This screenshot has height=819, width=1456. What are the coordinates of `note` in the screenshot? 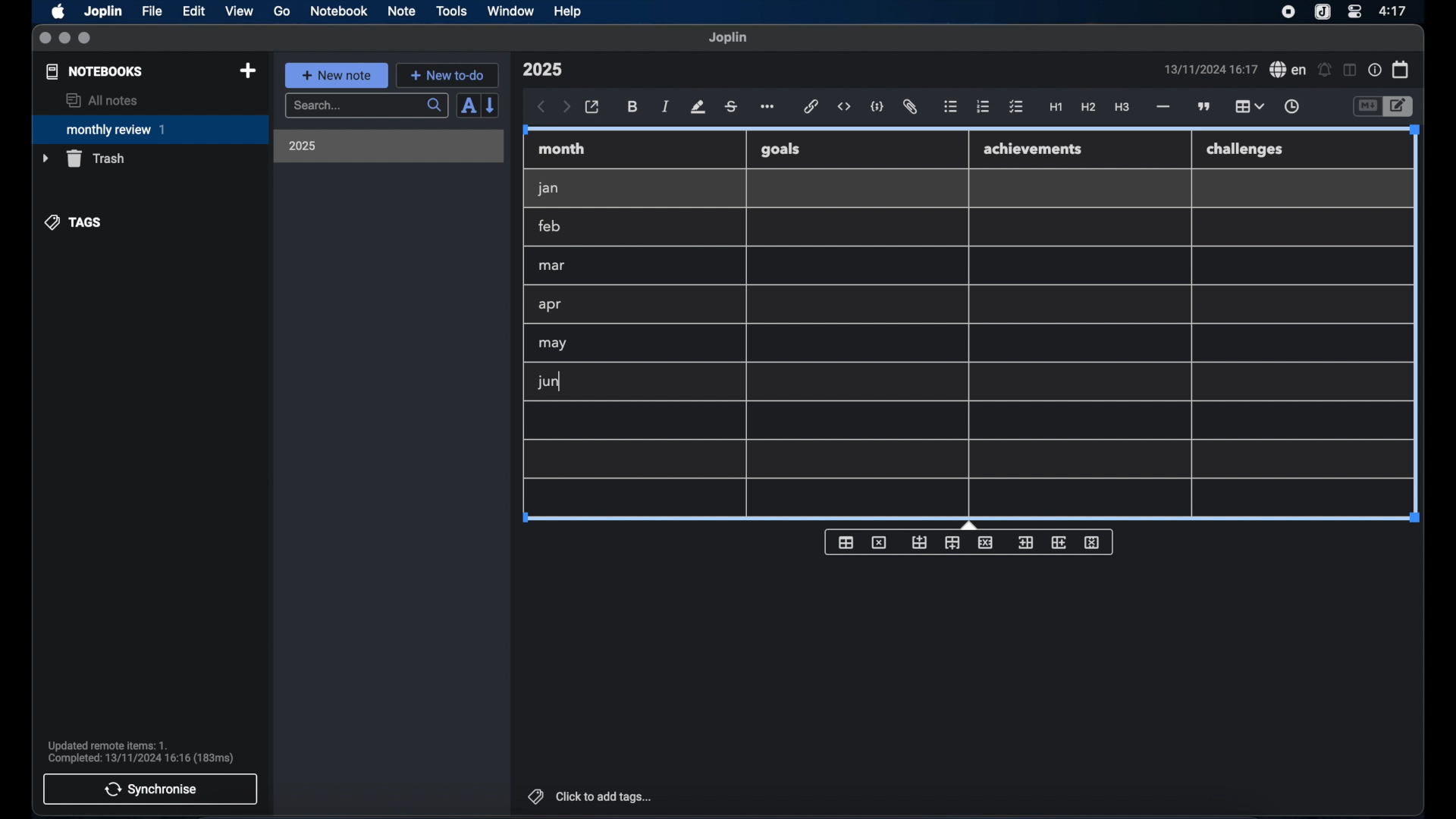 It's located at (402, 11).